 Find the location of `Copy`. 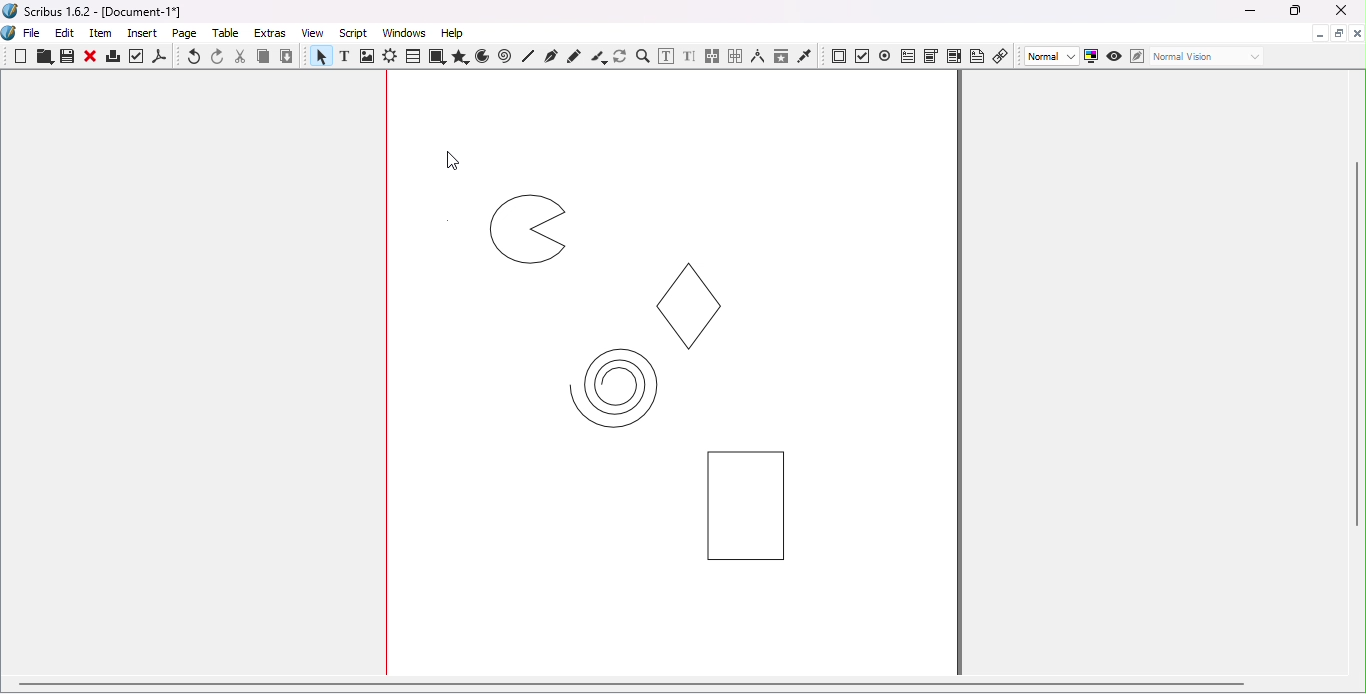

Copy is located at coordinates (263, 58).